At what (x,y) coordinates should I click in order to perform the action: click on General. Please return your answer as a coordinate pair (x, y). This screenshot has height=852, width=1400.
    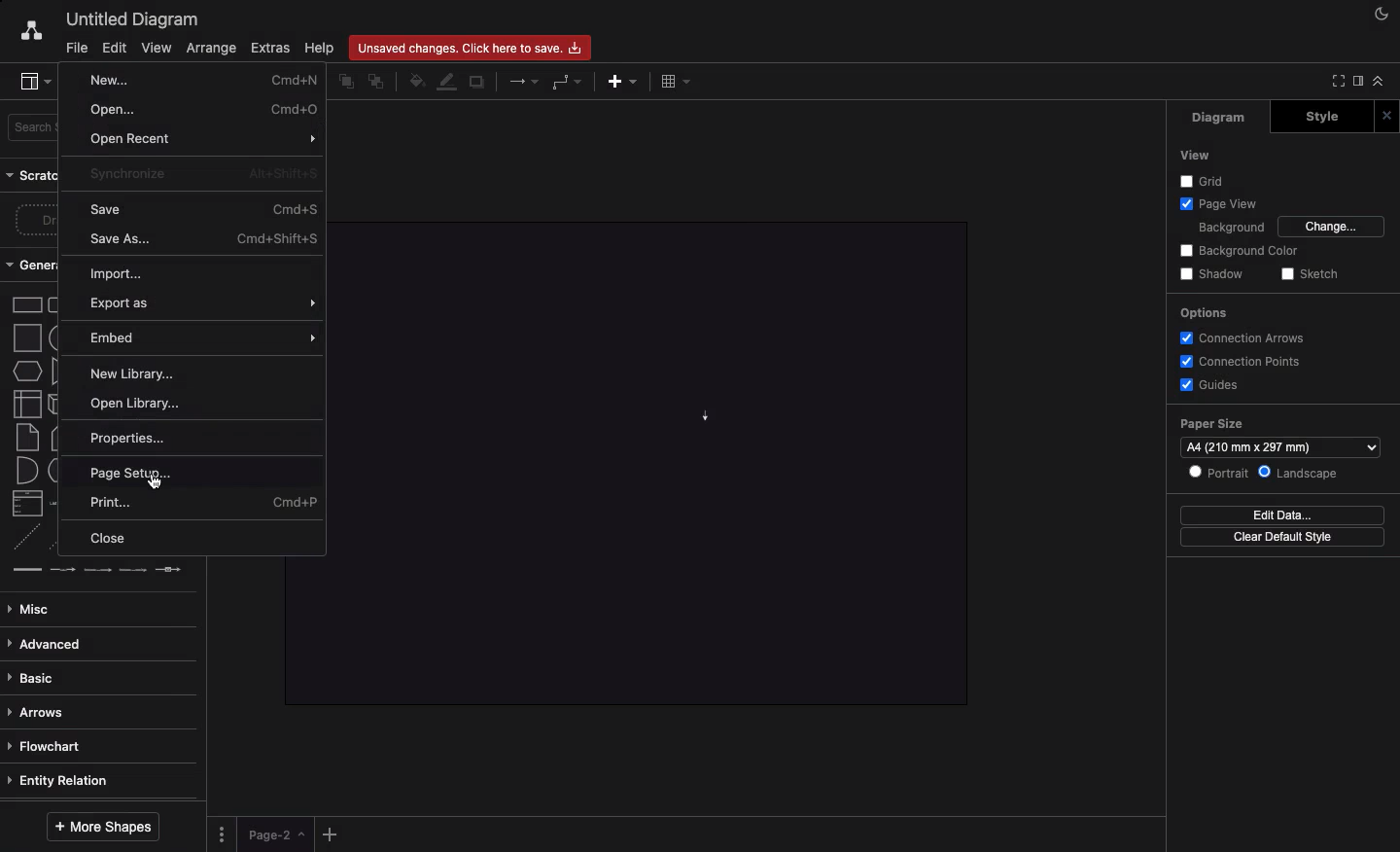
    Looking at the image, I should click on (33, 265).